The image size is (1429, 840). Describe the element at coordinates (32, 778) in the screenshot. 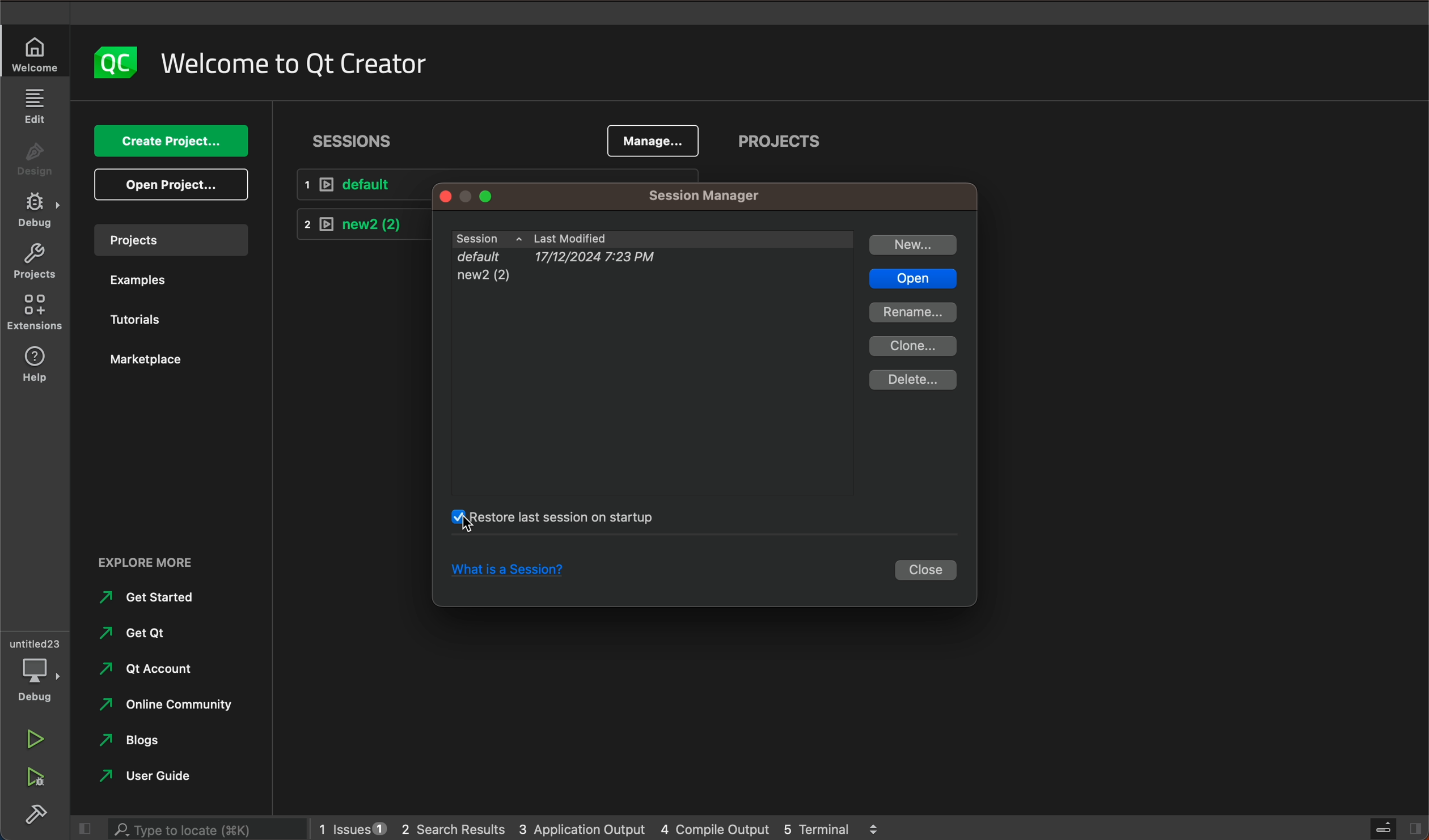

I see `run debug` at that location.